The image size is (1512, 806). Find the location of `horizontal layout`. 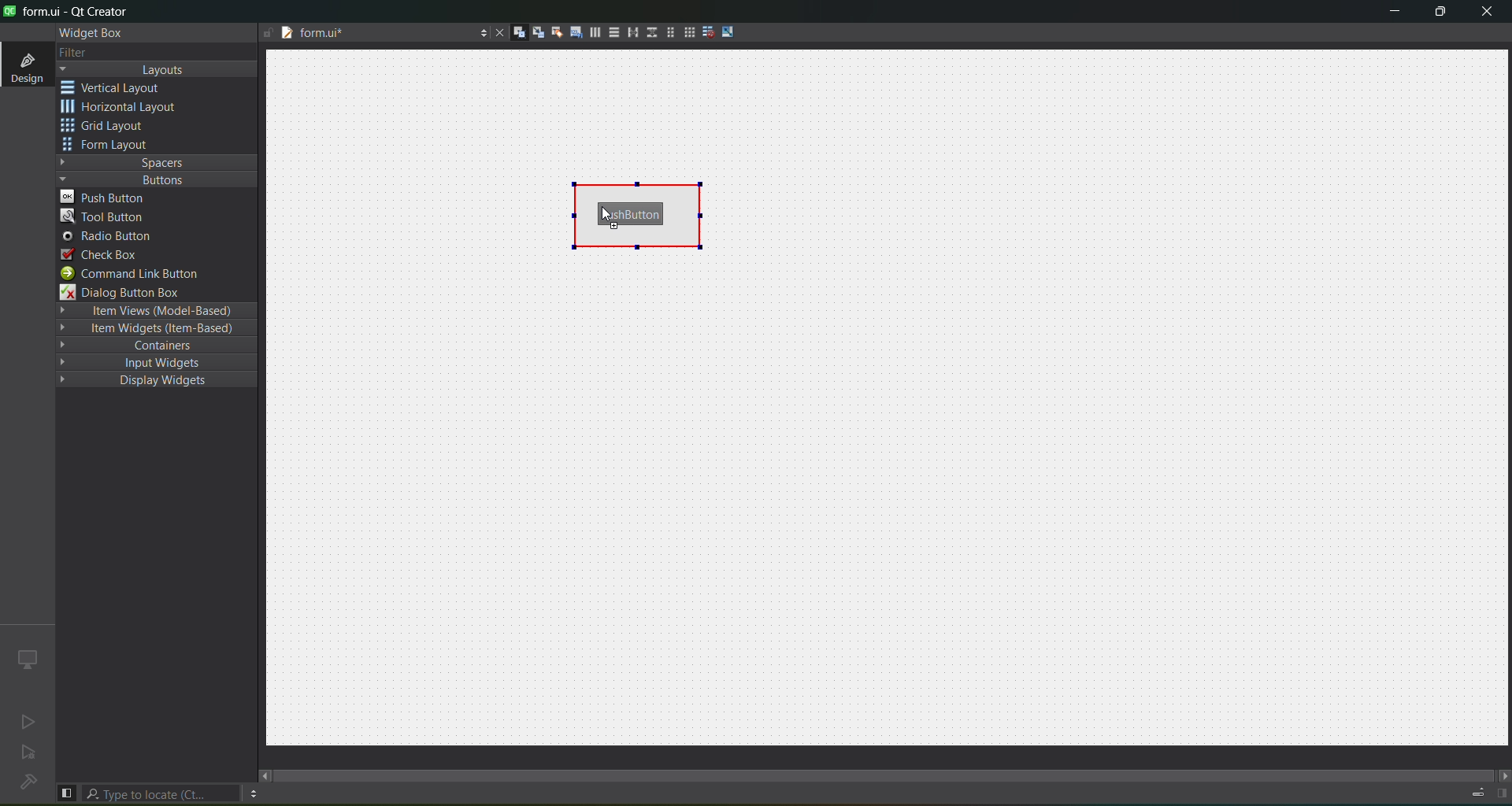

horizontal layout is located at coordinates (124, 109).